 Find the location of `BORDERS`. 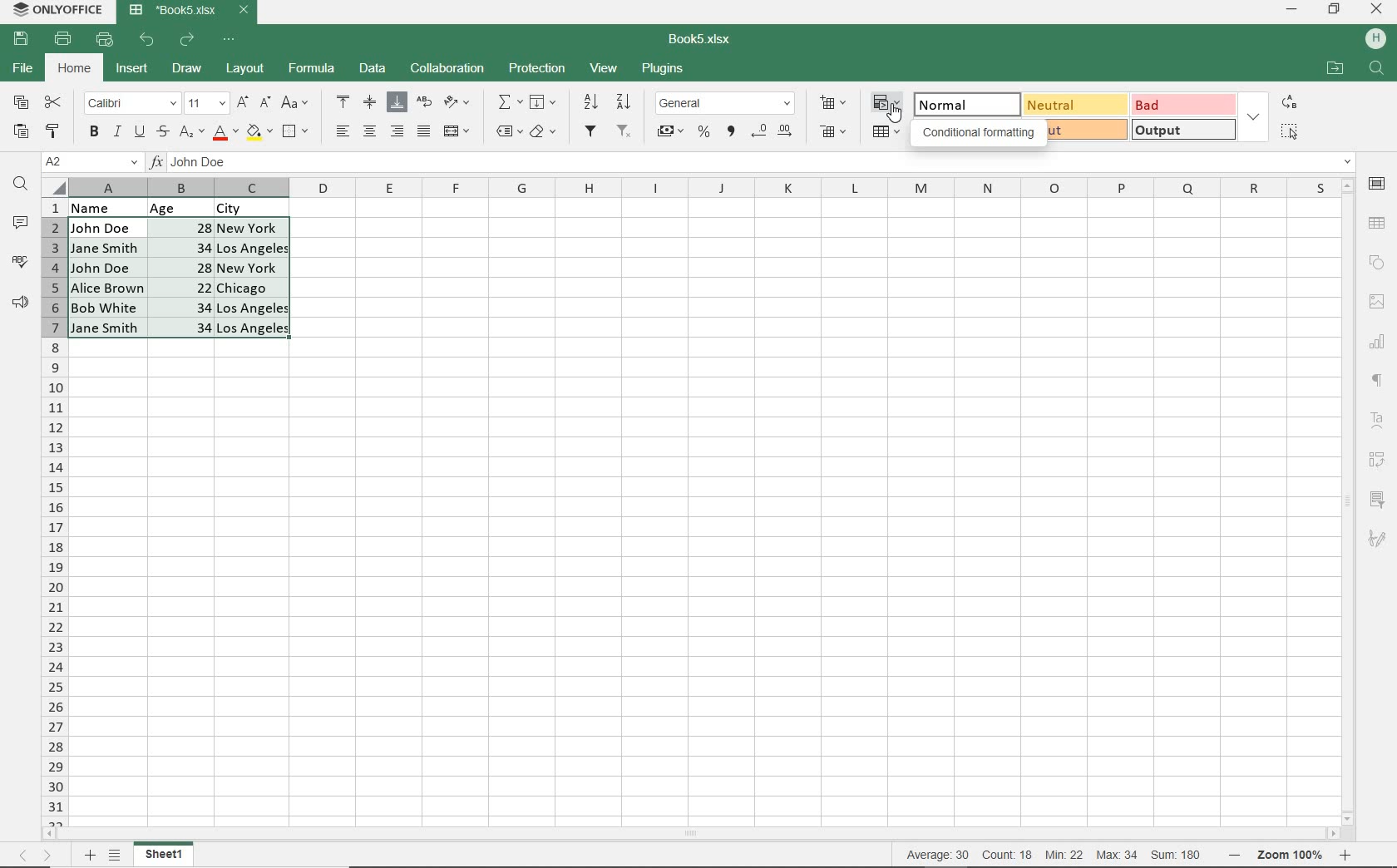

BORDERS is located at coordinates (298, 132).